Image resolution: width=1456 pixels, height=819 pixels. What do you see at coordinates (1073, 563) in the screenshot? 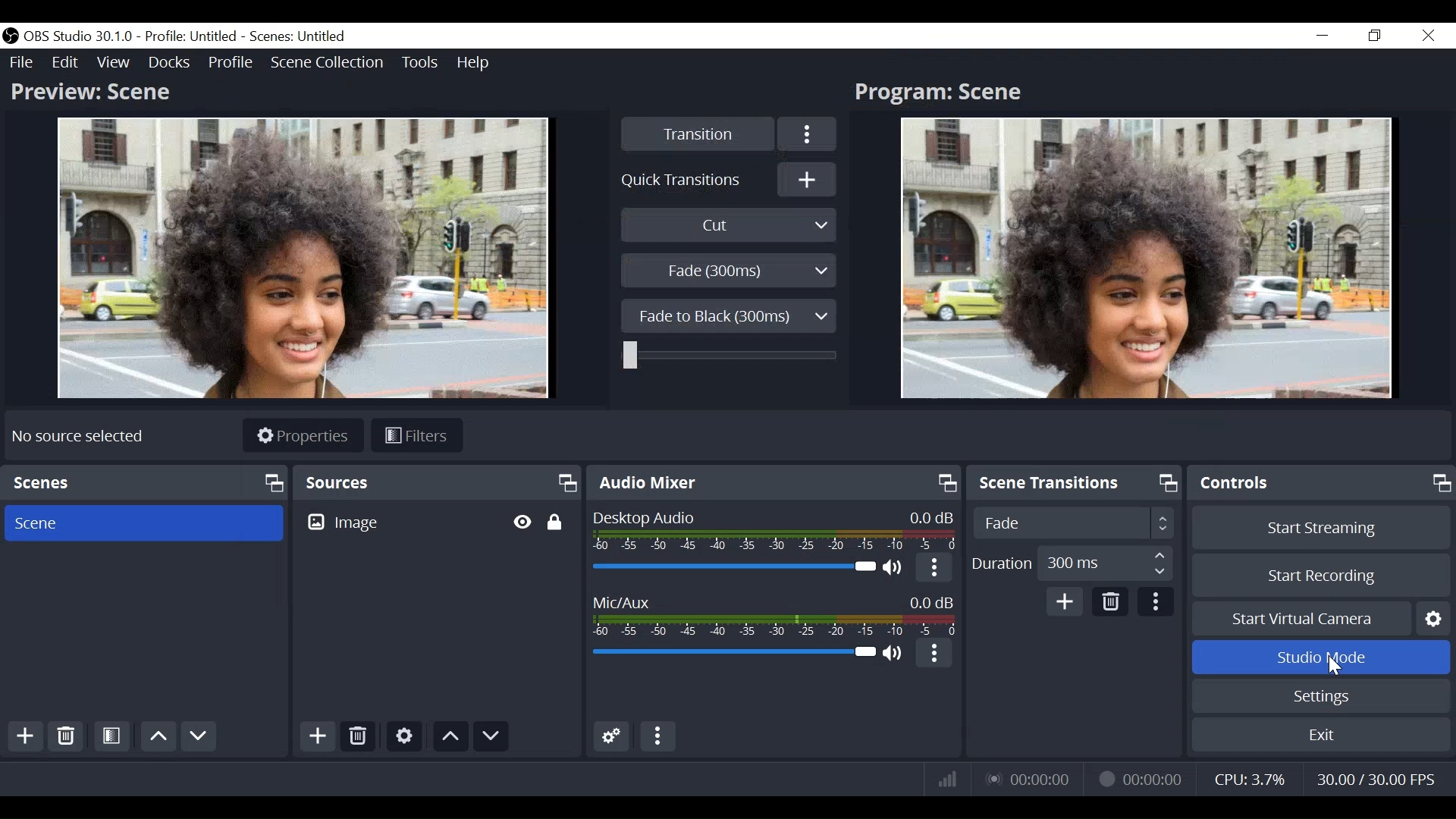
I see `Adjust Duration` at bounding box center [1073, 563].